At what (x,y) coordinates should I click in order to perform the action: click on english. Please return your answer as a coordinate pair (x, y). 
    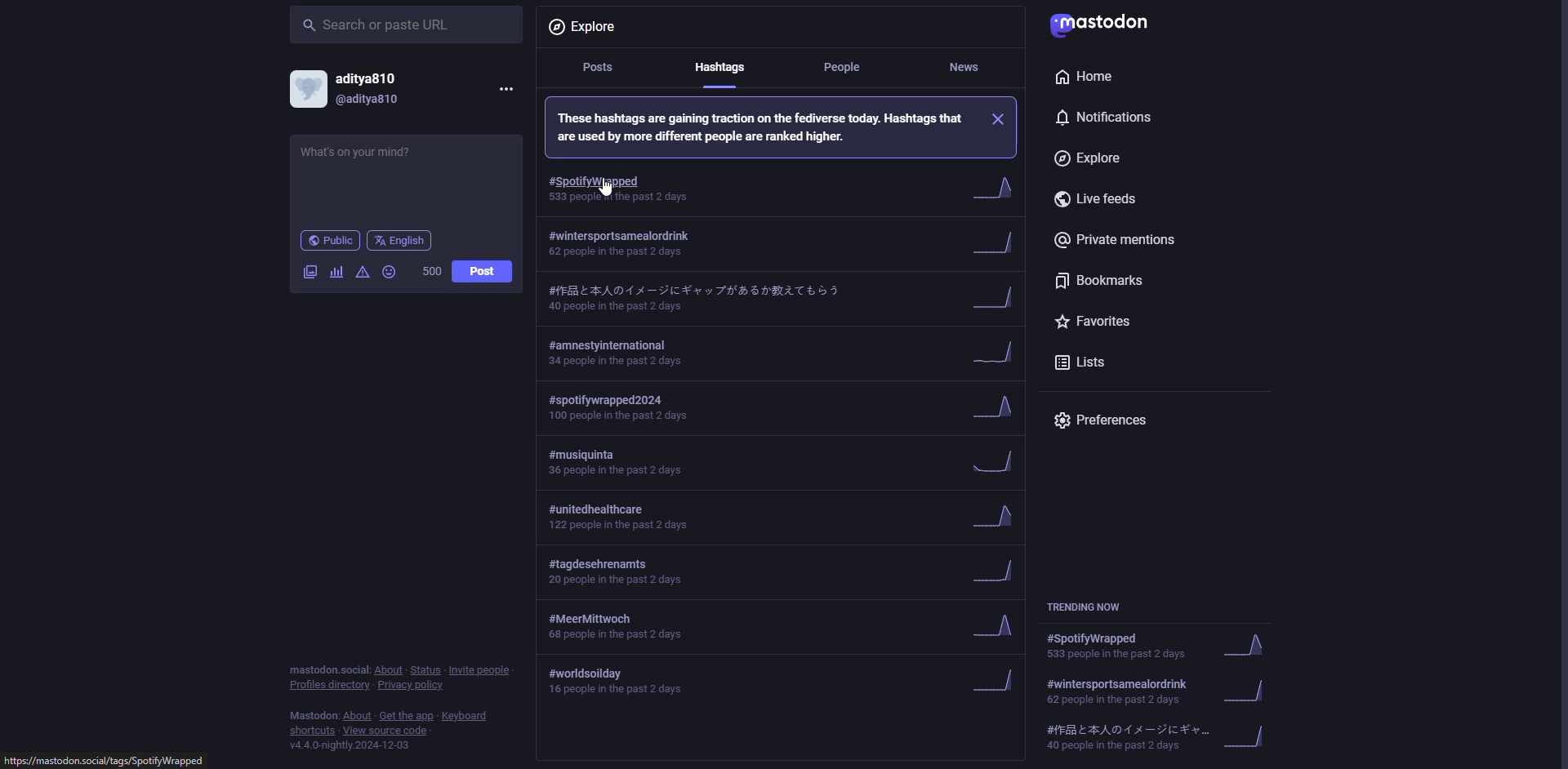
    Looking at the image, I should click on (403, 241).